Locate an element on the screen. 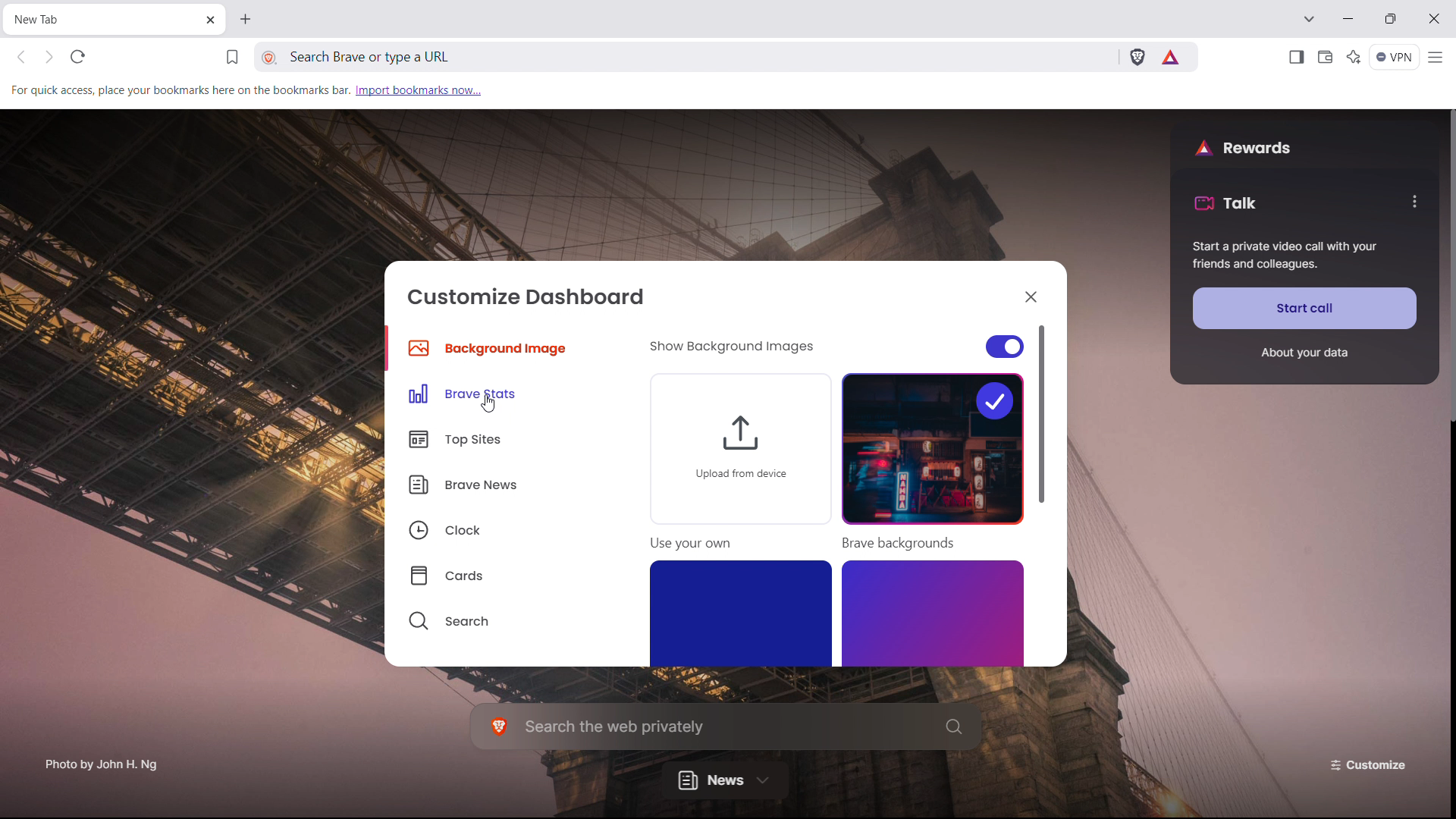 This screenshot has width=1456, height=819. open new tab is located at coordinates (243, 19).